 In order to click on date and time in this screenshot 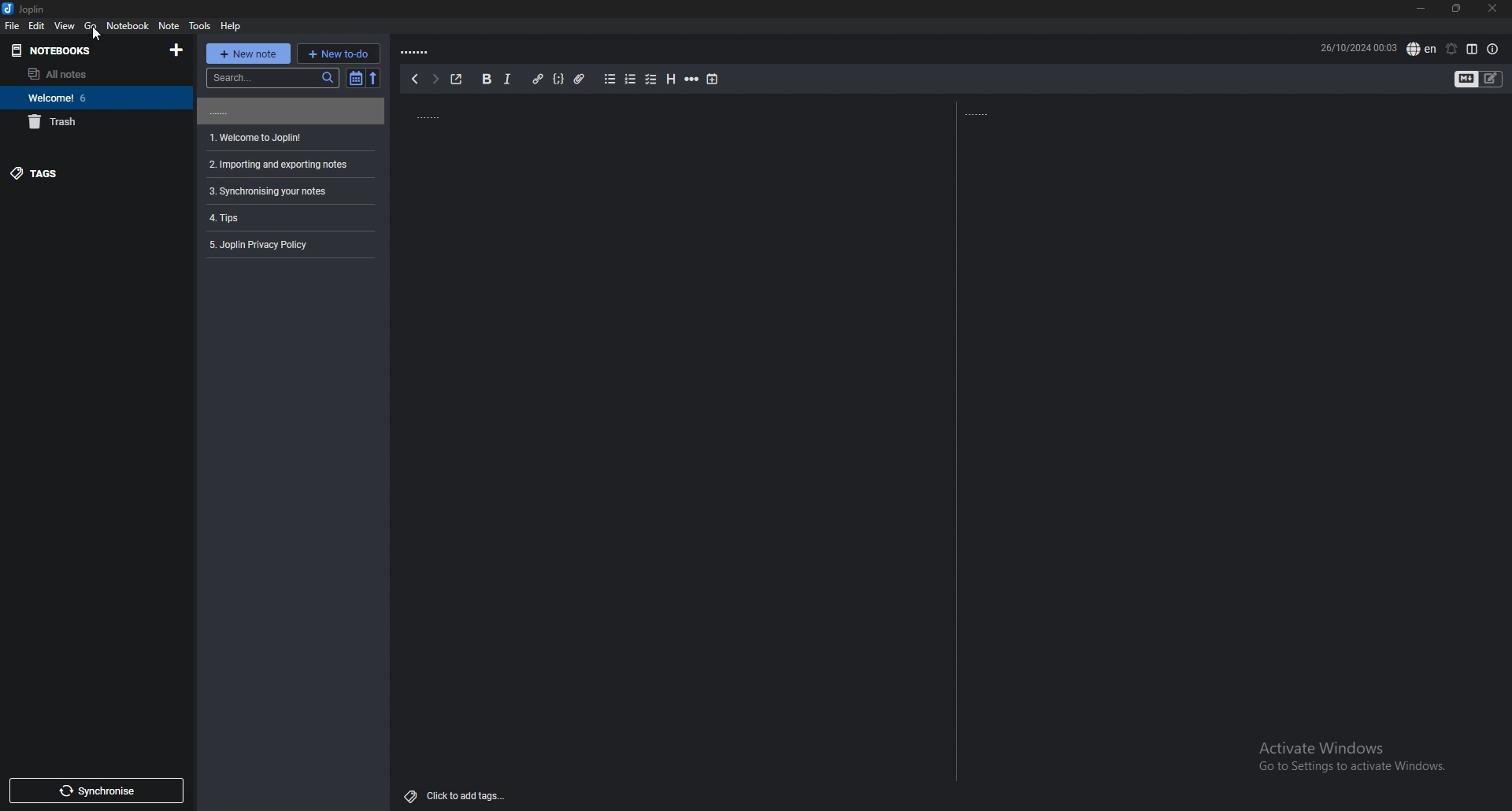, I will do `click(1358, 48)`.